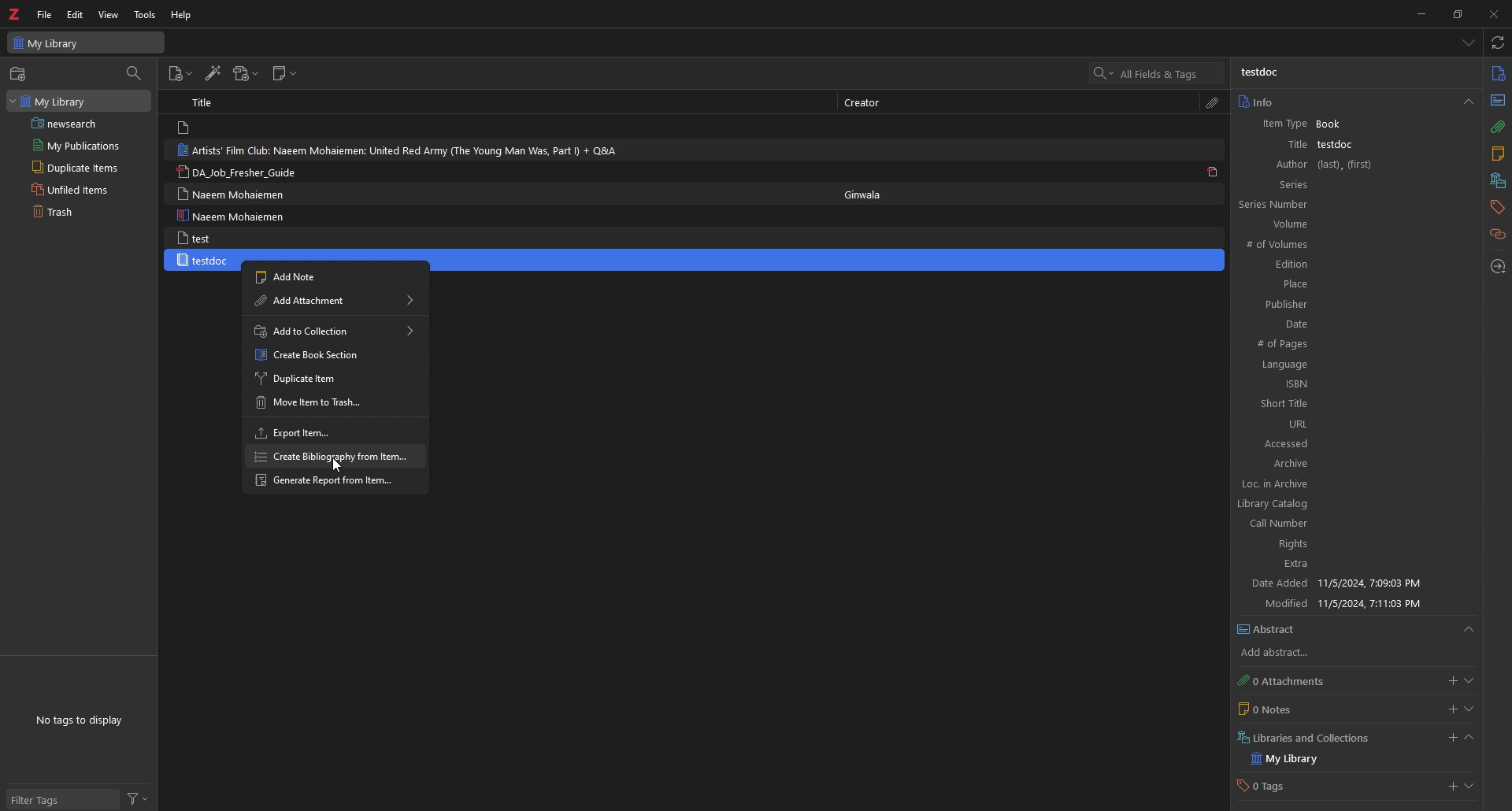  Describe the element at coordinates (77, 100) in the screenshot. I see `my library` at that location.